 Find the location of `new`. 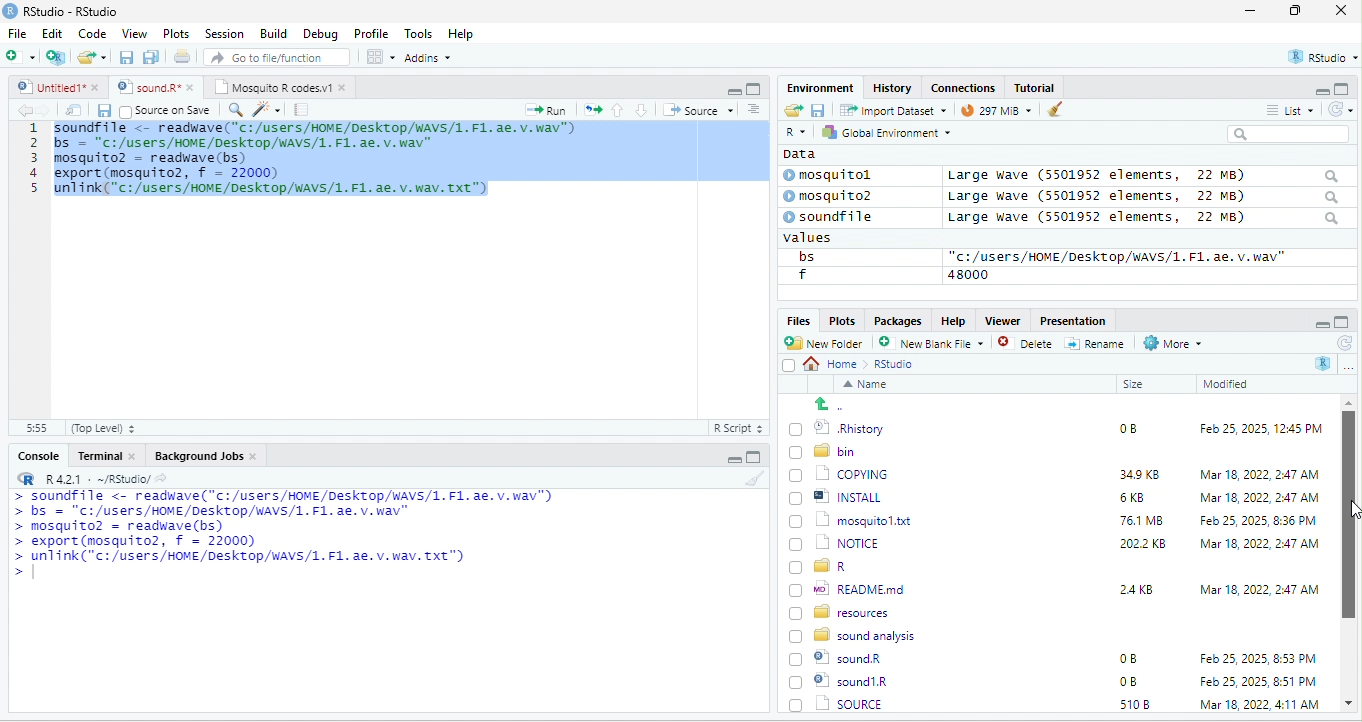

new is located at coordinates (20, 55).